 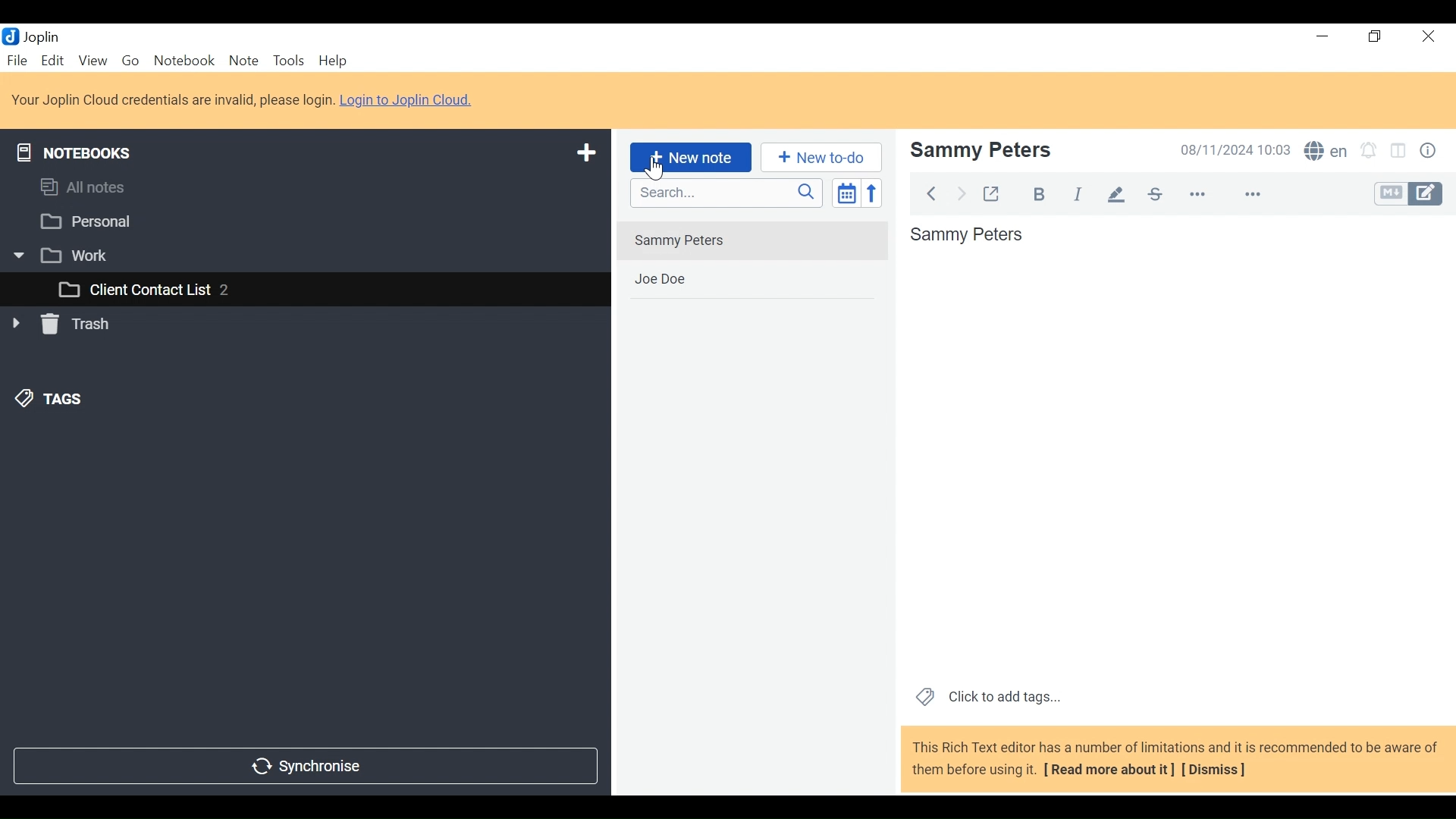 What do you see at coordinates (1326, 150) in the screenshot?
I see `Spell checker` at bounding box center [1326, 150].